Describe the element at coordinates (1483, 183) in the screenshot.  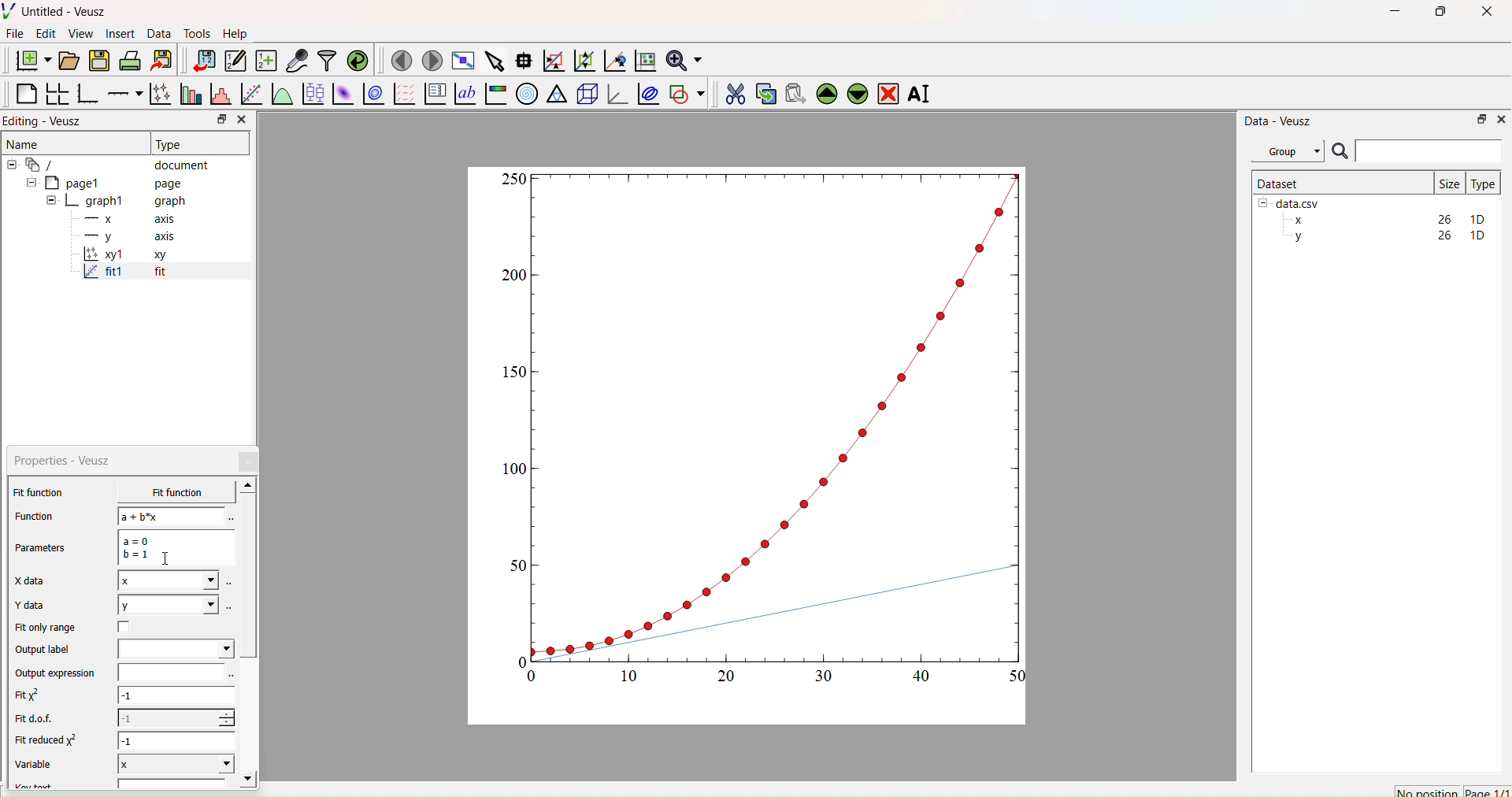
I see `Type` at that location.